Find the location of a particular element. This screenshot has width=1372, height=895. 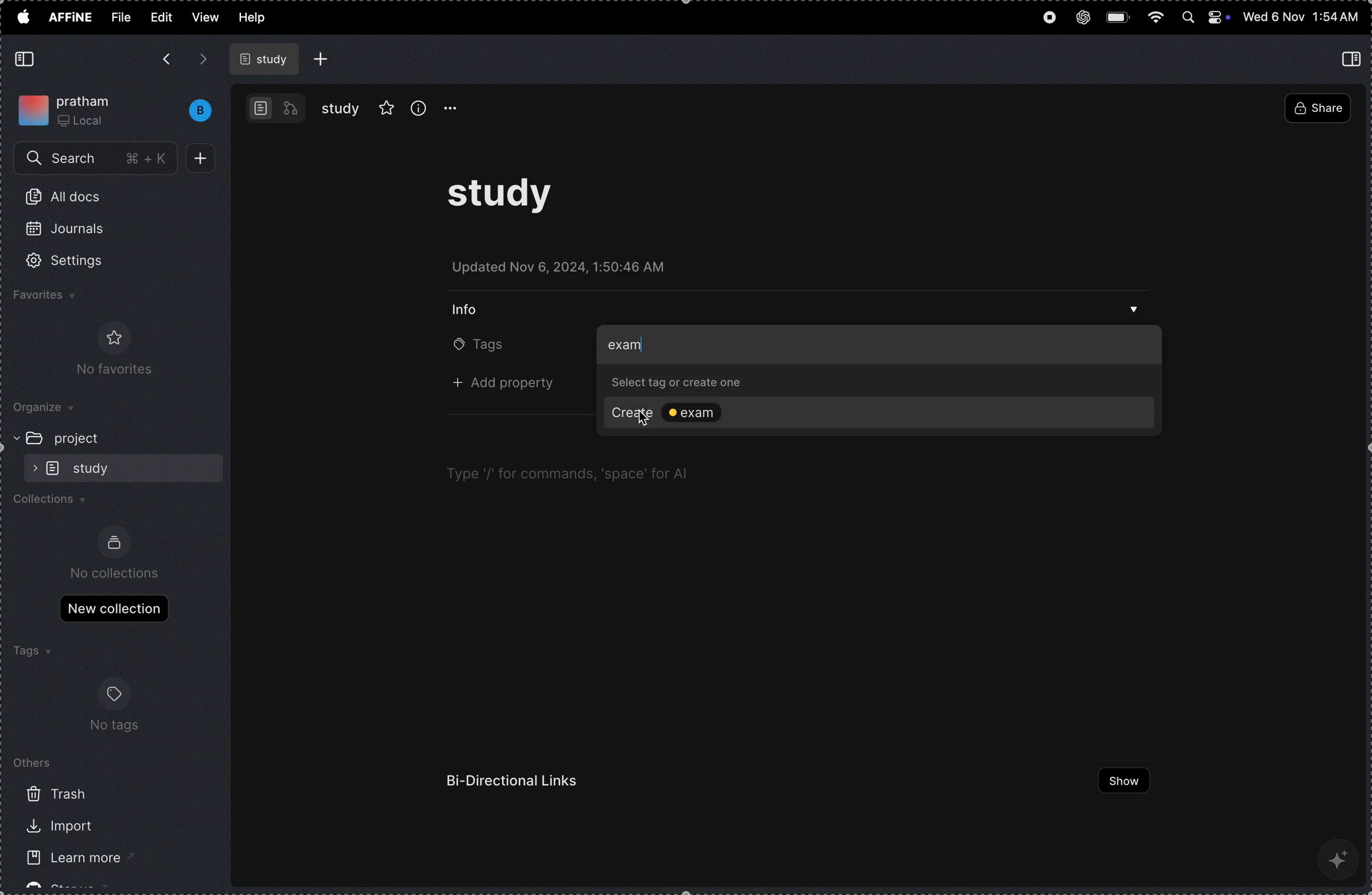

cursor is located at coordinates (644, 426).